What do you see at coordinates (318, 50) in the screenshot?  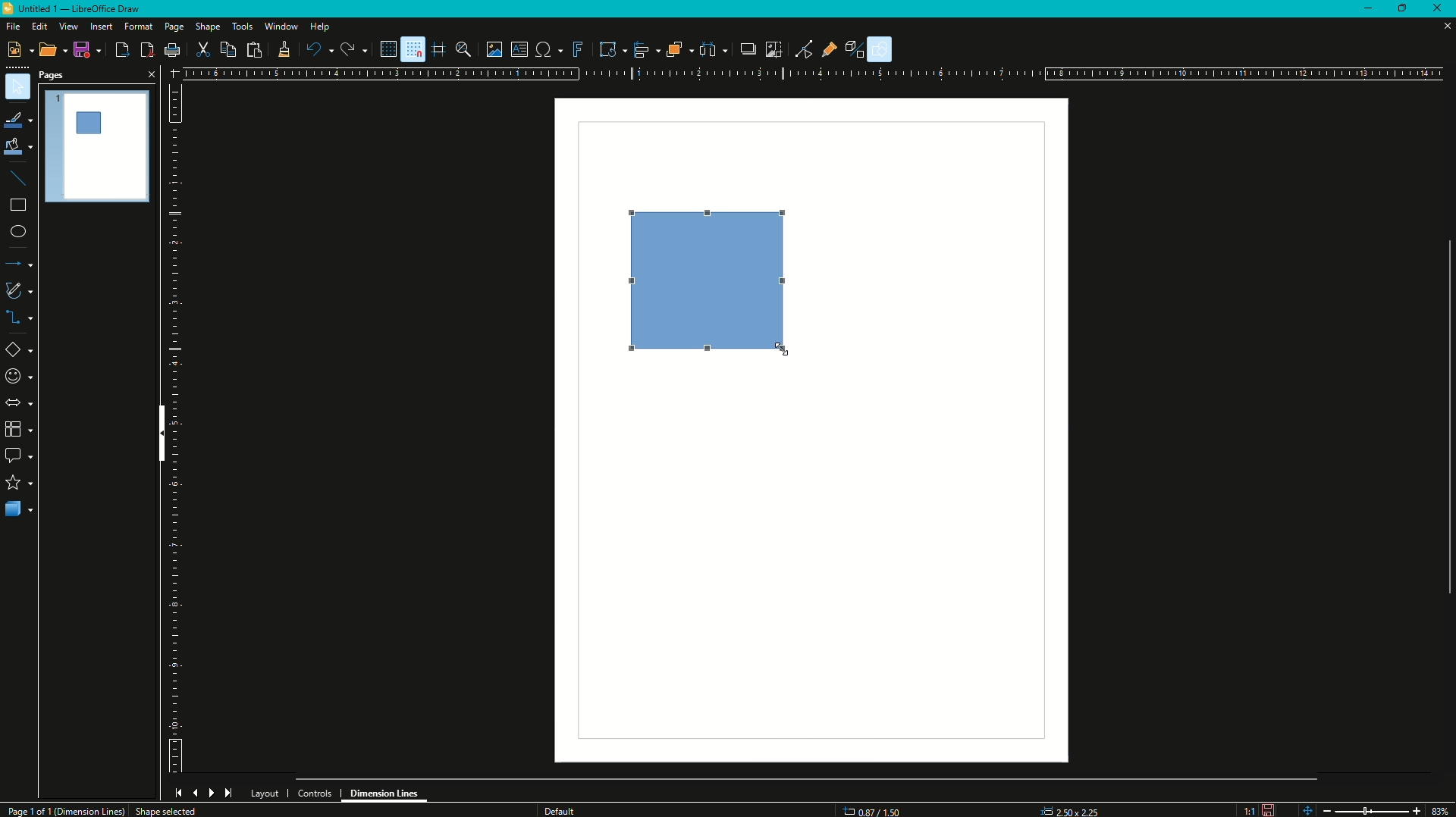 I see `Undo` at bounding box center [318, 50].